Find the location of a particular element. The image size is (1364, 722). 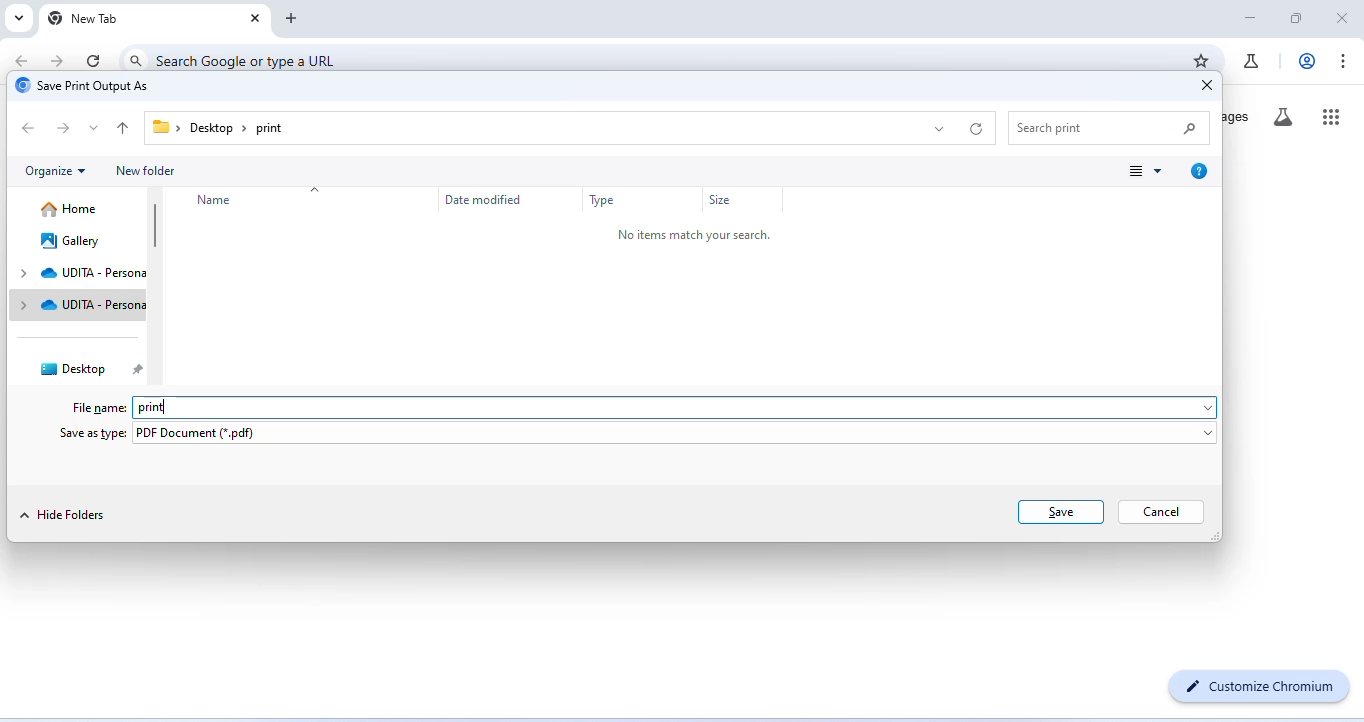

minimize is located at coordinates (1251, 19).